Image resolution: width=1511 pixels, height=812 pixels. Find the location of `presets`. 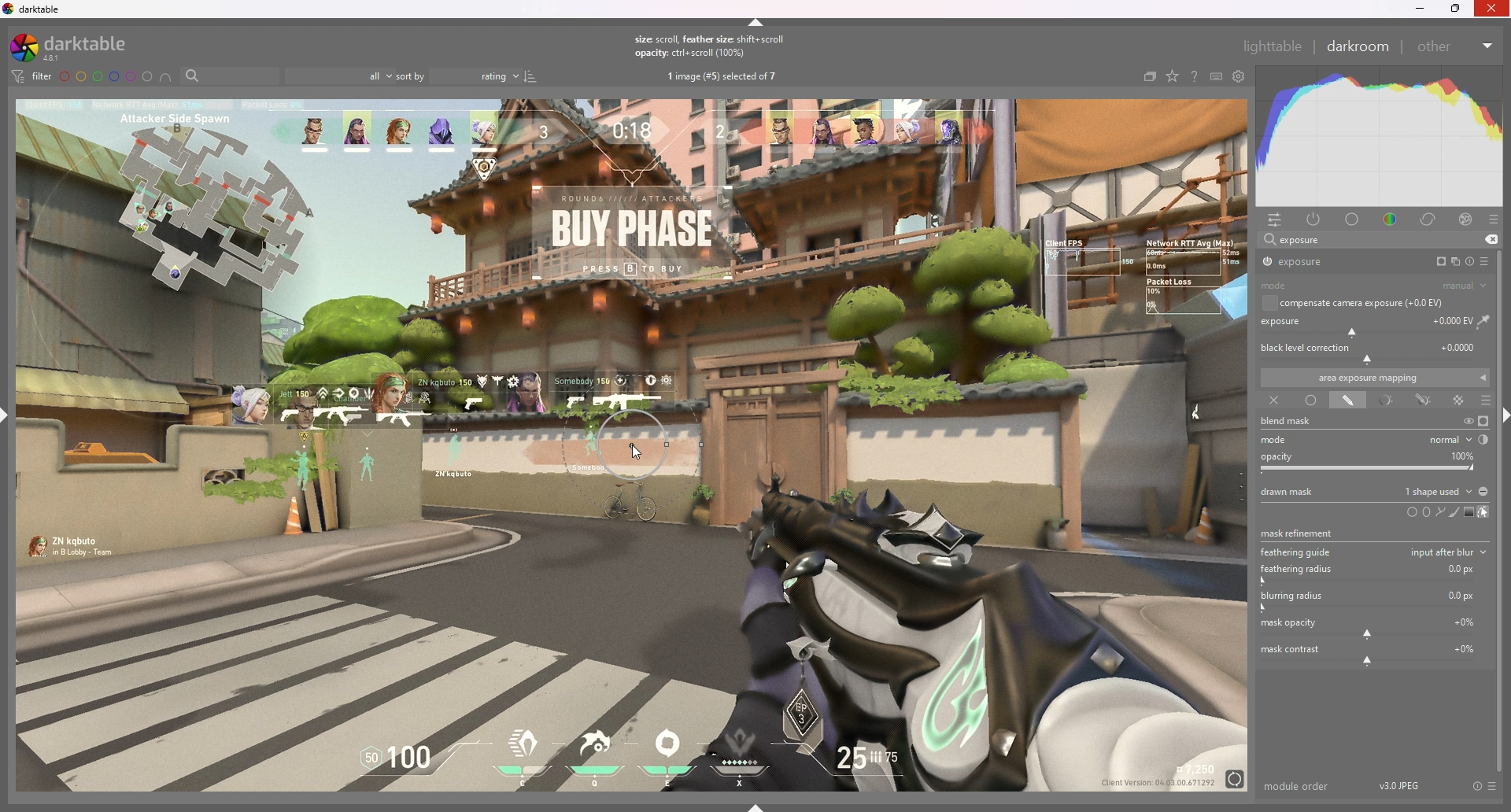

presets is located at coordinates (1493, 220).